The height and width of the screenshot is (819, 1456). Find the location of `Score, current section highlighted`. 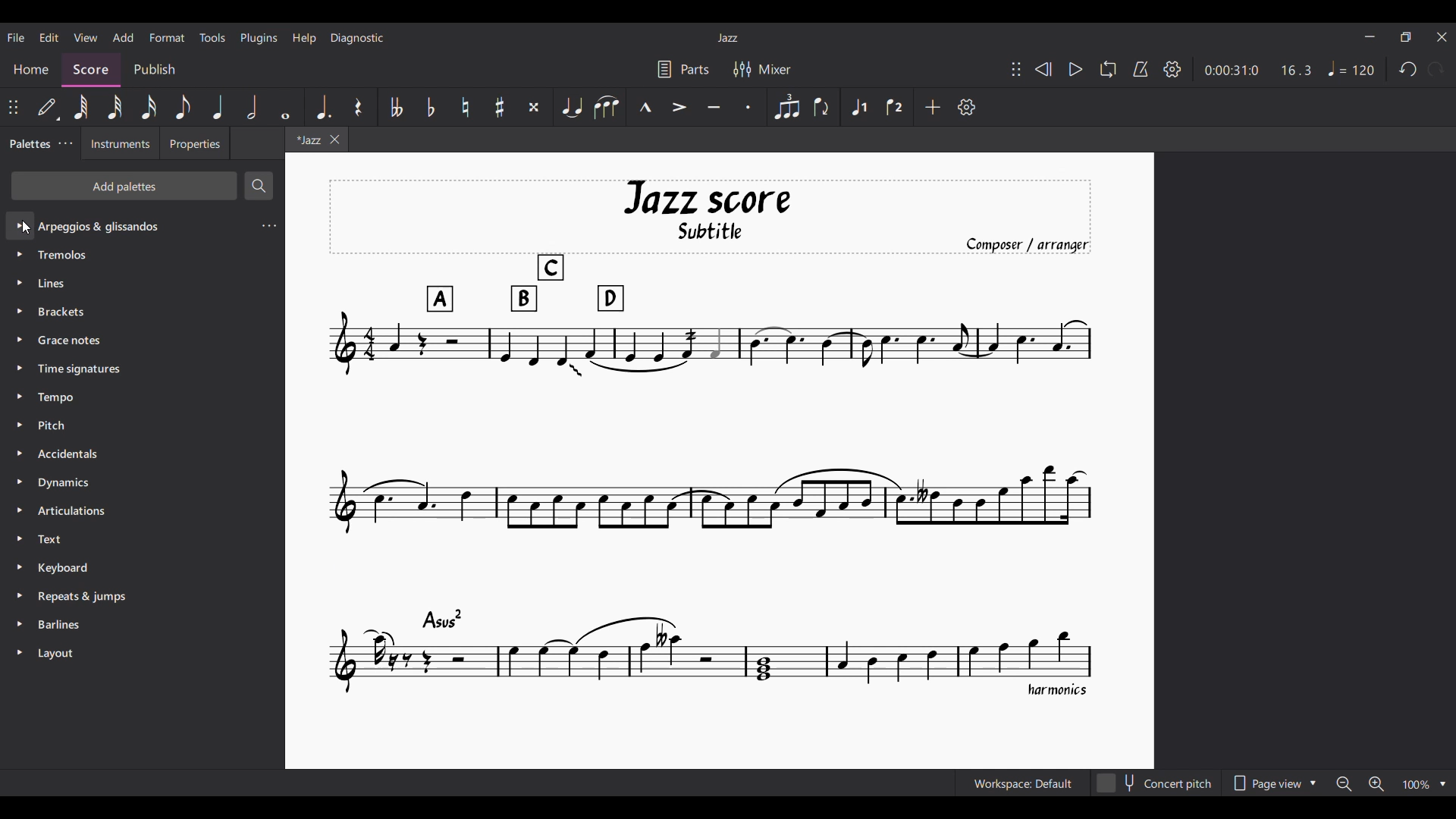

Score, current section highlighted is located at coordinates (90, 66).